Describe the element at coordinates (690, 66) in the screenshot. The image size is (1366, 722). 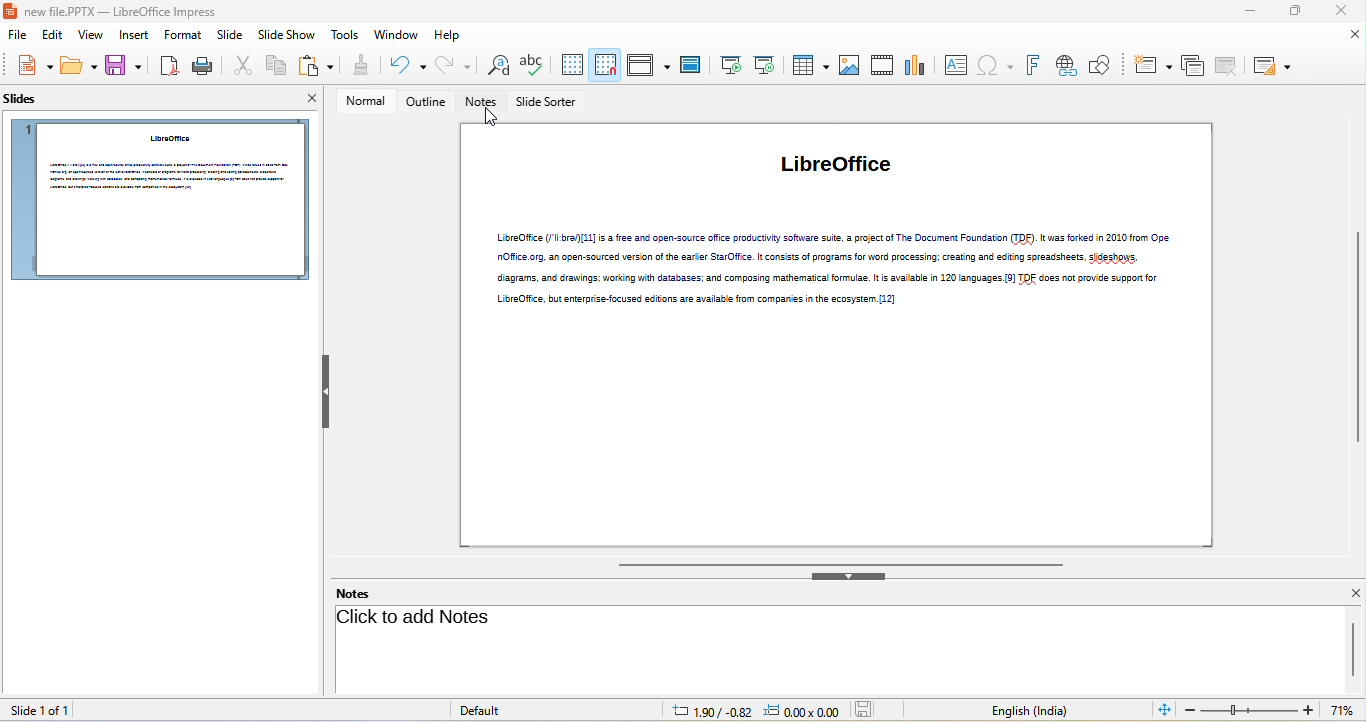
I see `master slide` at that location.